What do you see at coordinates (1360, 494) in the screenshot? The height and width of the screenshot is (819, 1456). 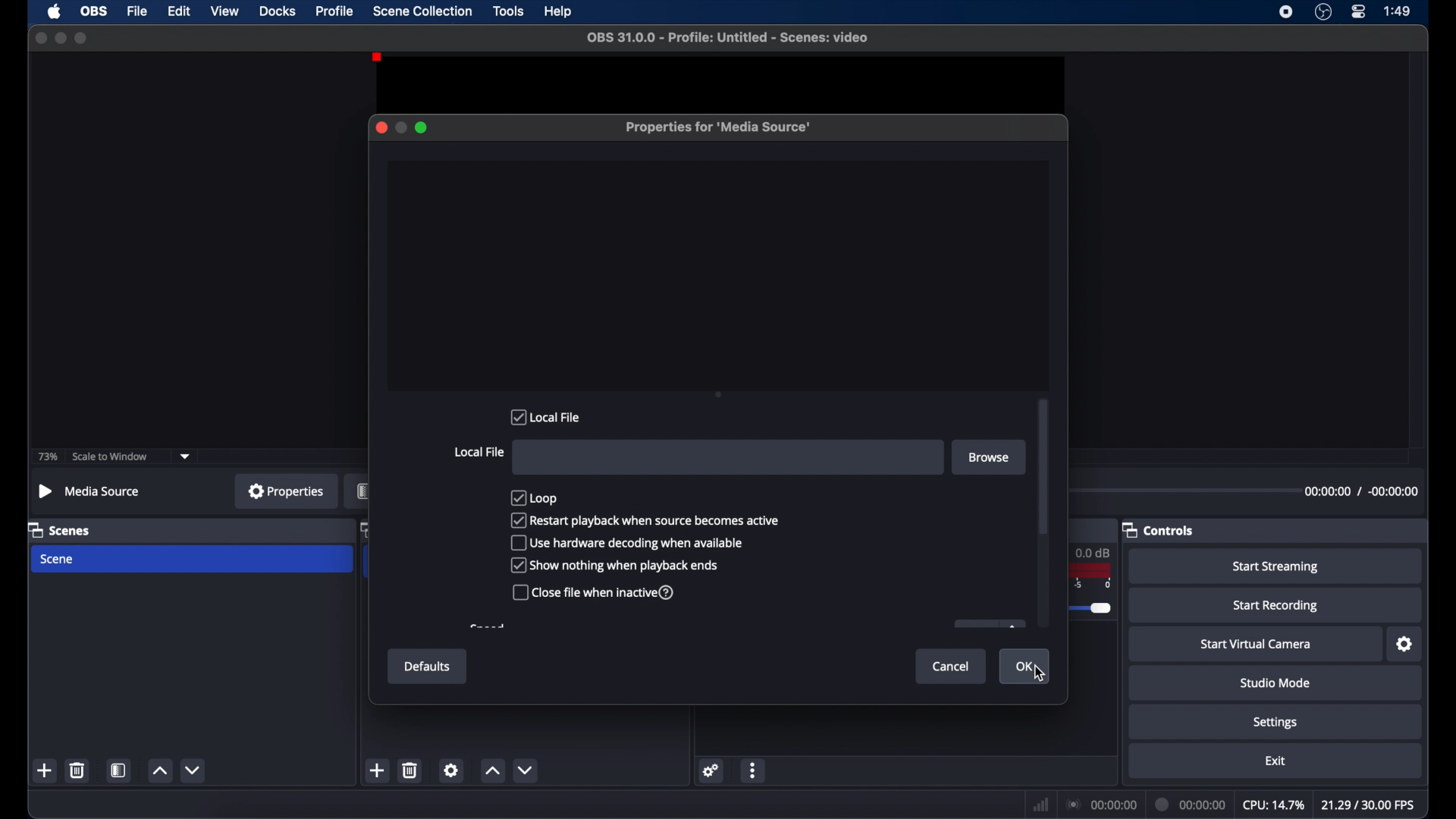 I see `timestamp` at bounding box center [1360, 494].